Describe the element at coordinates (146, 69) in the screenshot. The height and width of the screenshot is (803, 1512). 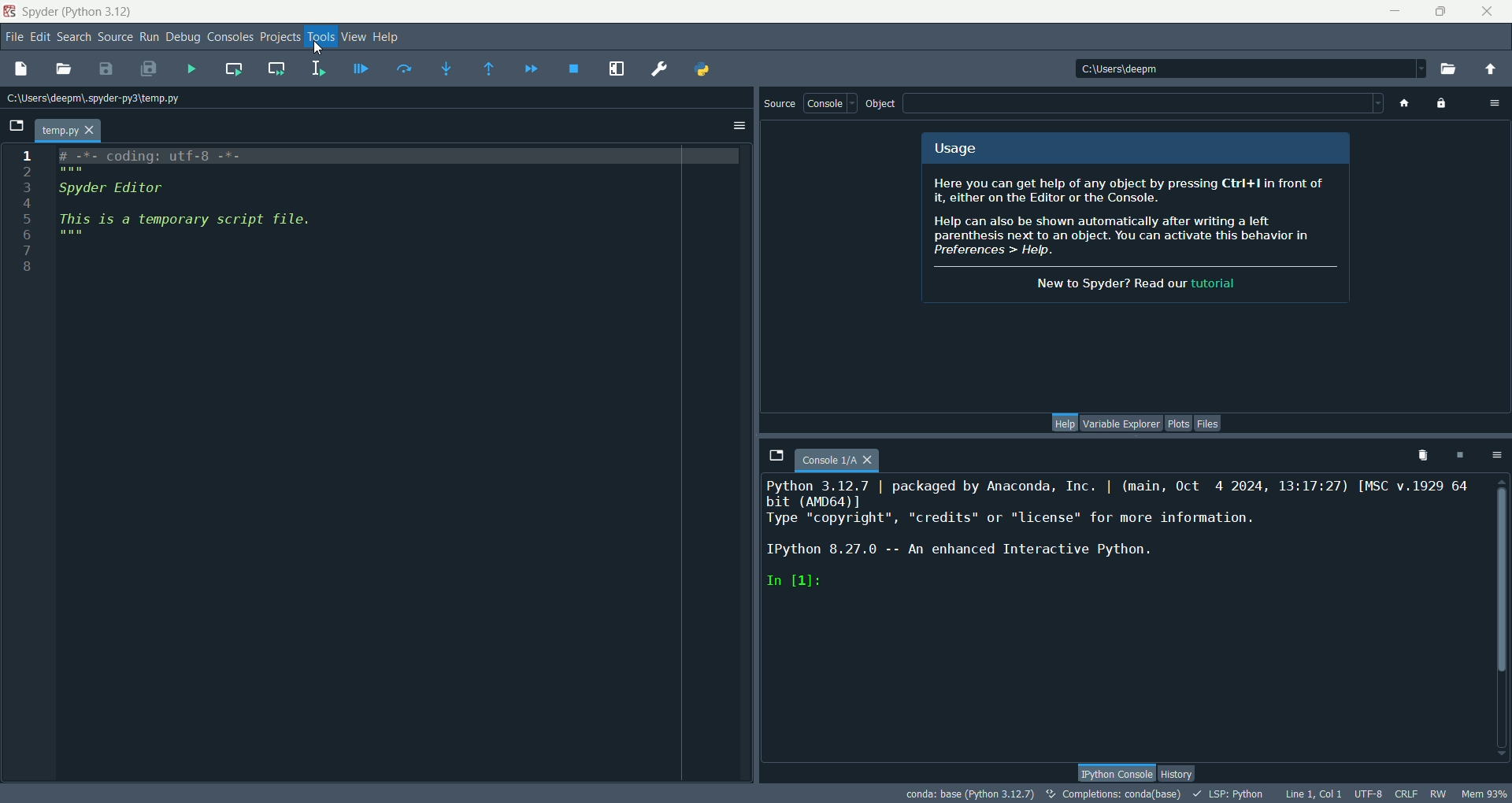
I see `save all files` at that location.